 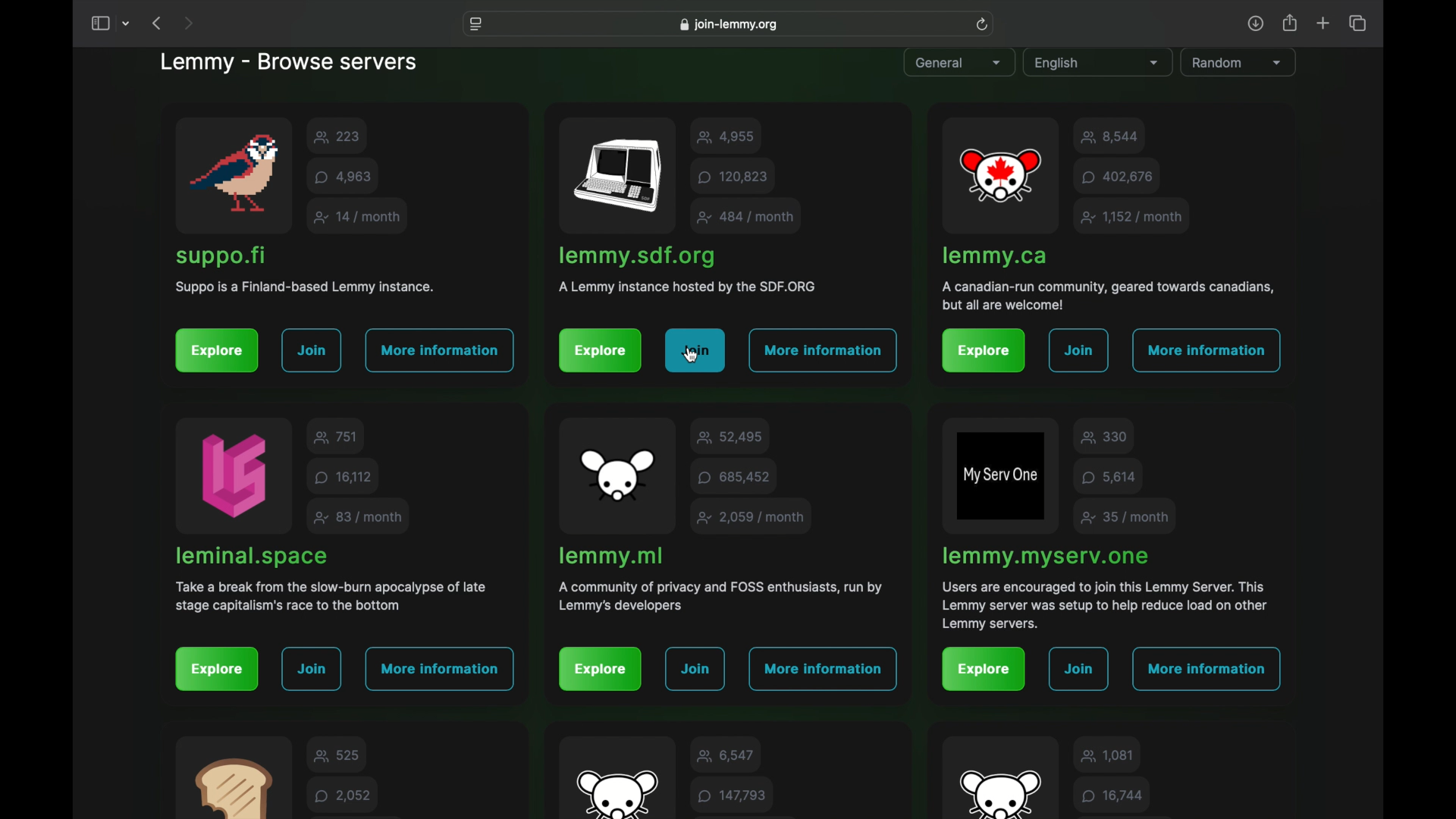 What do you see at coordinates (1000, 792) in the screenshot?
I see `lemmy` at bounding box center [1000, 792].